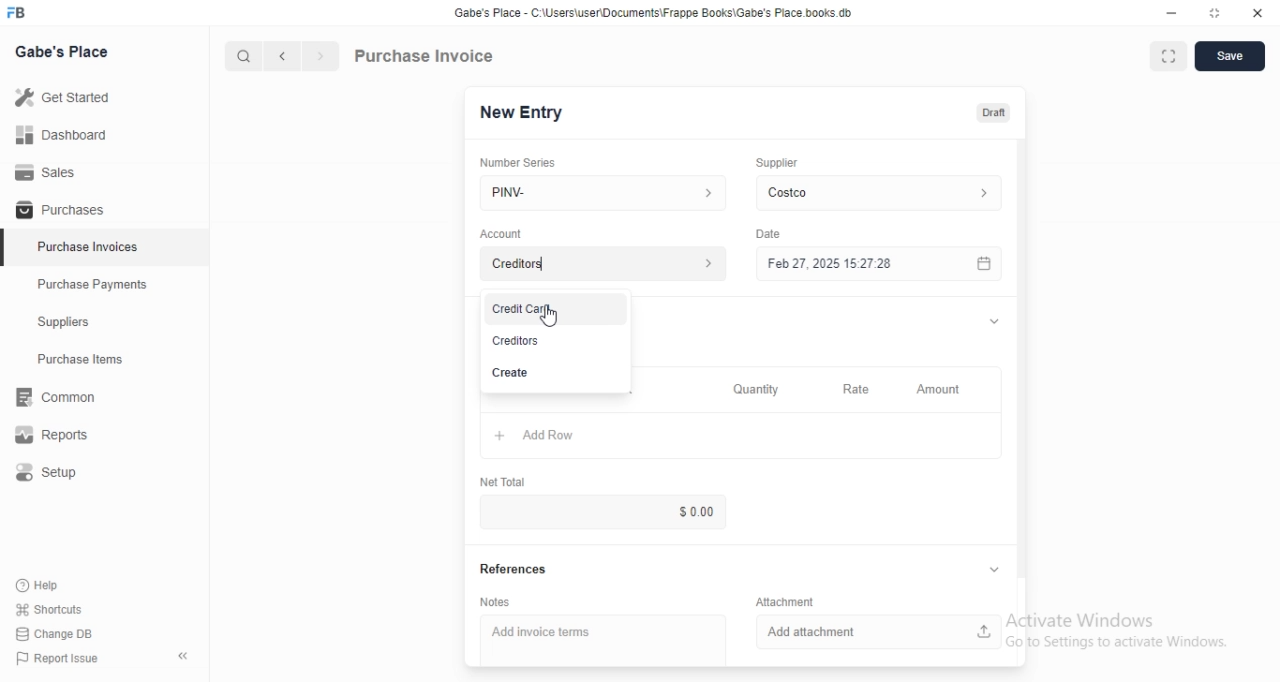 The image size is (1280, 682). Describe the element at coordinates (61, 51) in the screenshot. I see `Gabe's Place` at that location.